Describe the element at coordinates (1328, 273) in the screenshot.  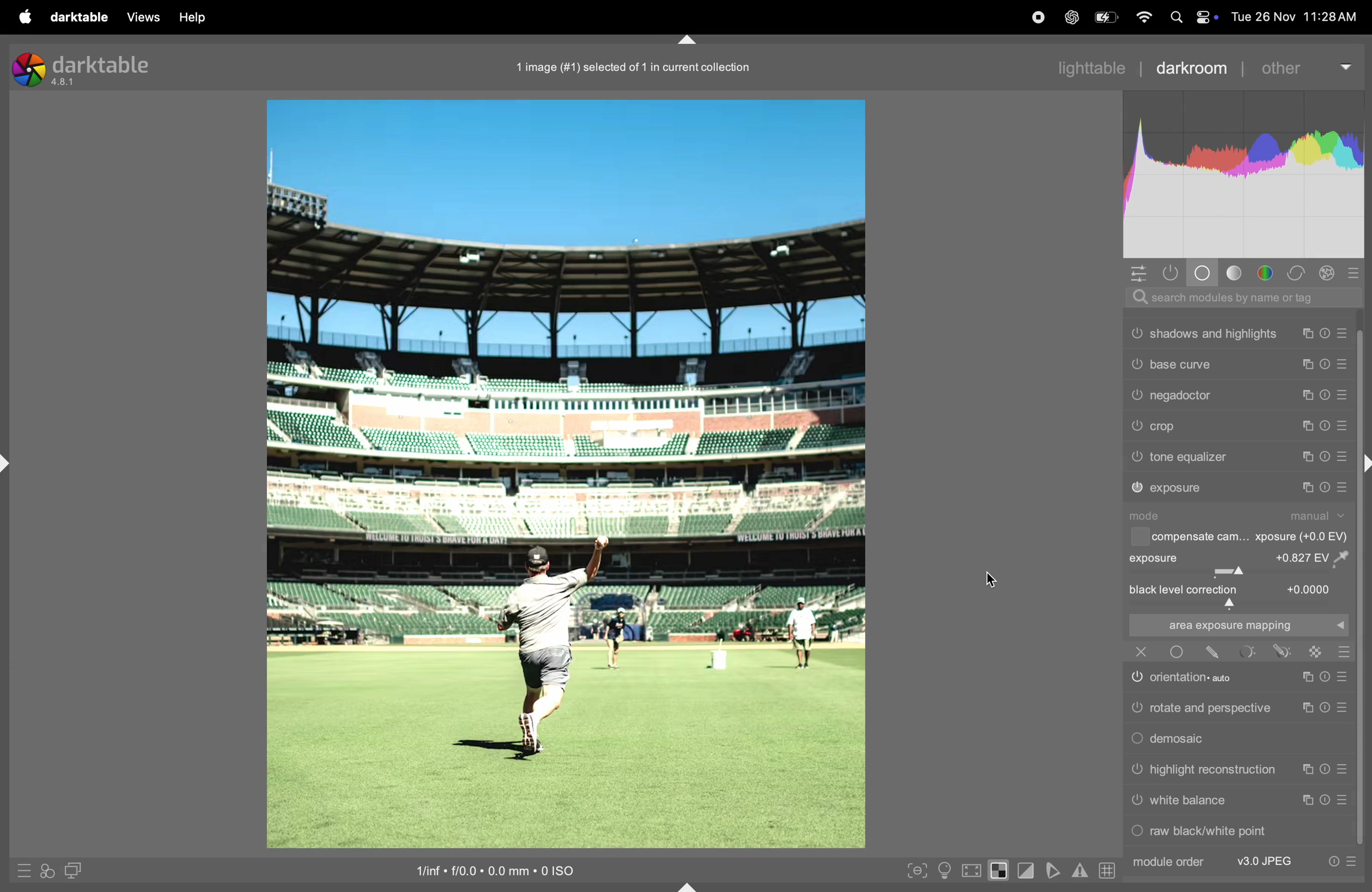
I see `effect` at that location.